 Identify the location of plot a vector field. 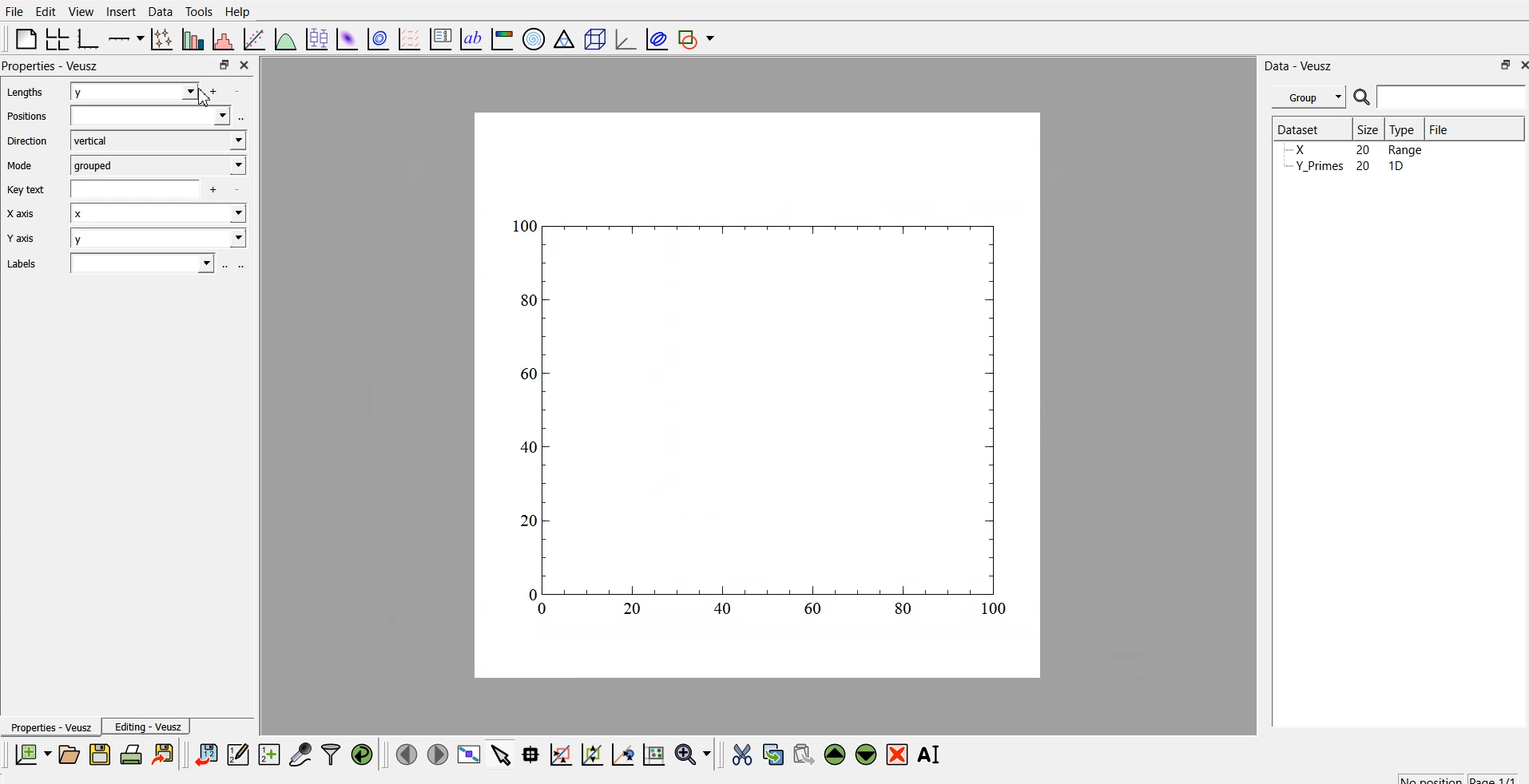
(412, 38).